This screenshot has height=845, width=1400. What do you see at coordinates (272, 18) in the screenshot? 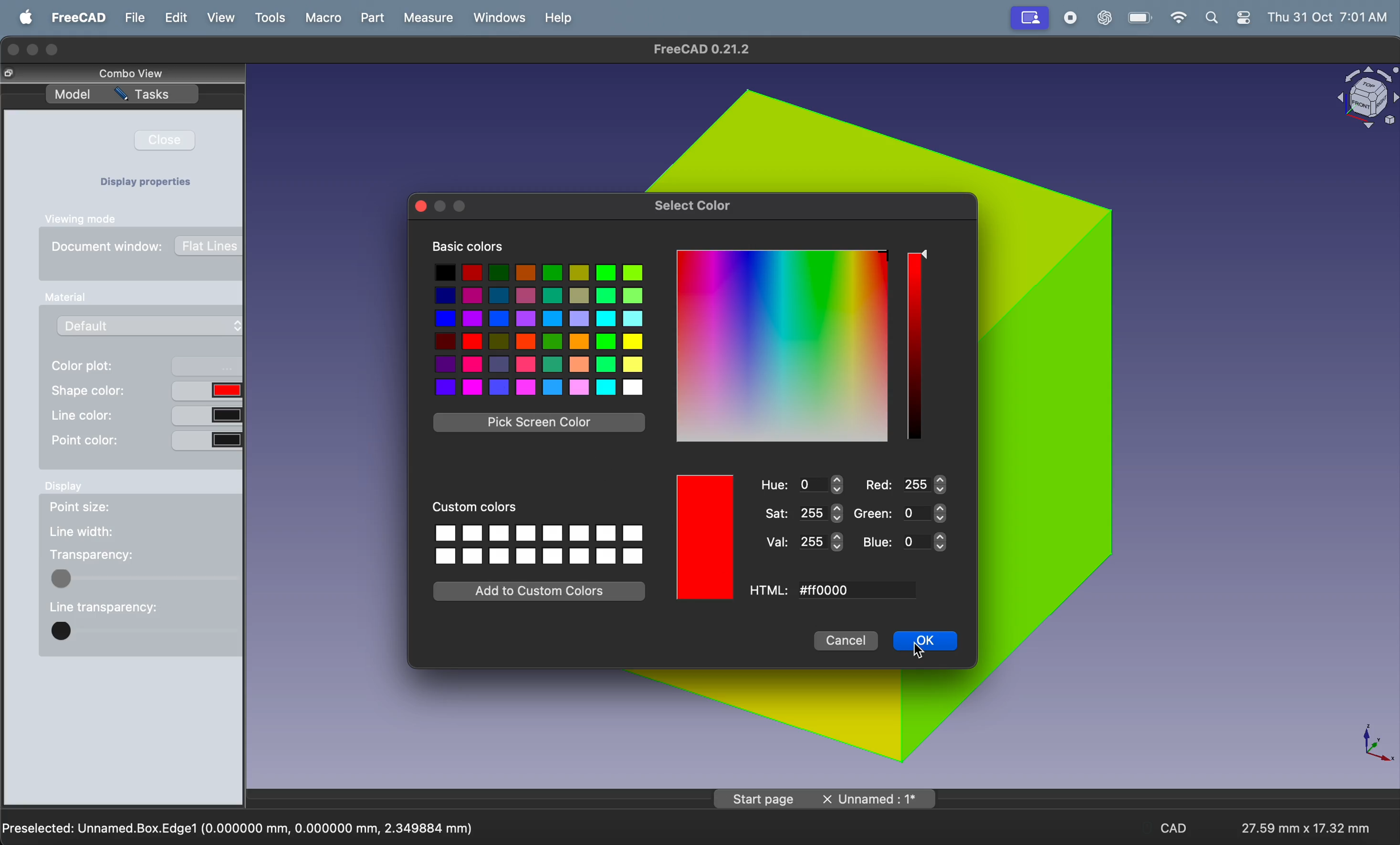
I see `tools` at bounding box center [272, 18].